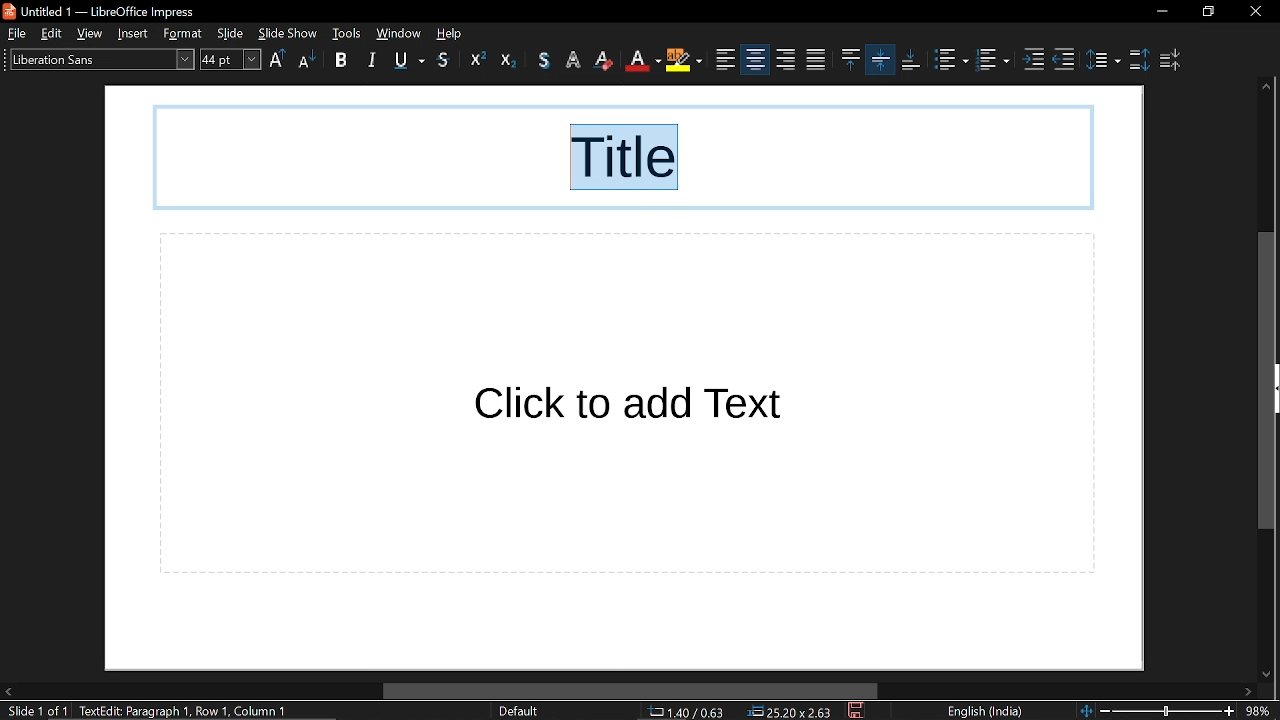  What do you see at coordinates (230, 59) in the screenshot?
I see `text size` at bounding box center [230, 59].